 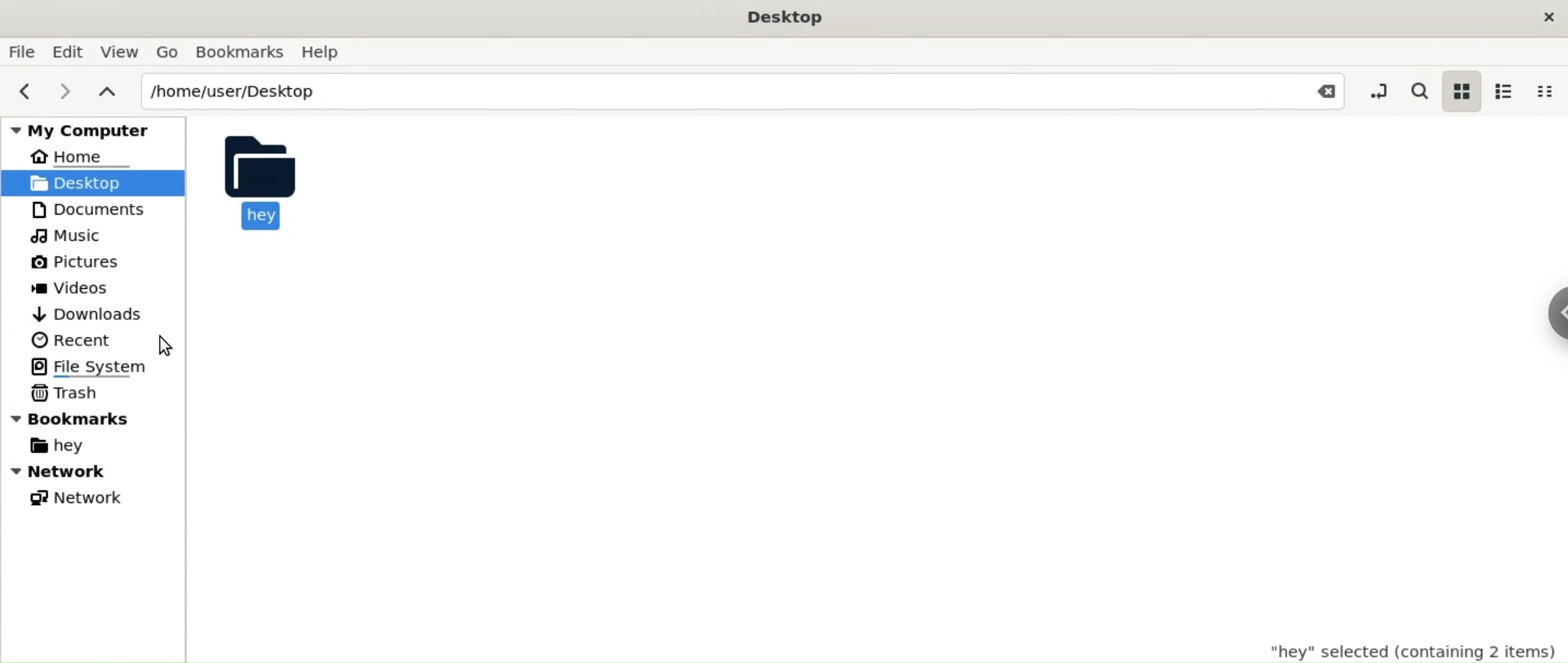 What do you see at coordinates (1463, 91) in the screenshot?
I see `icon view` at bounding box center [1463, 91].